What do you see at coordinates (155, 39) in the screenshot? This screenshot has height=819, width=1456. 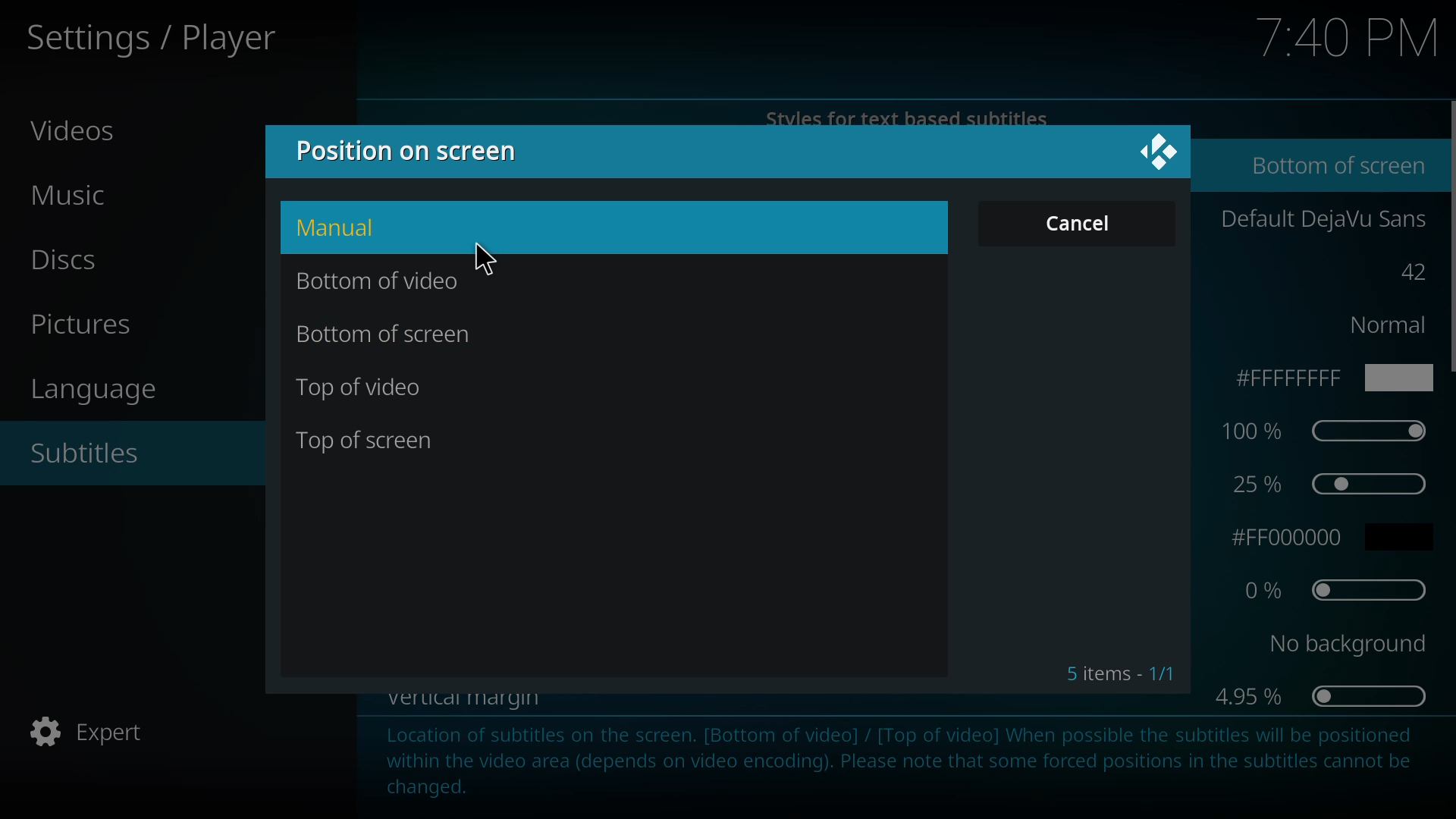 I see `` at bounding box center [155, 39].